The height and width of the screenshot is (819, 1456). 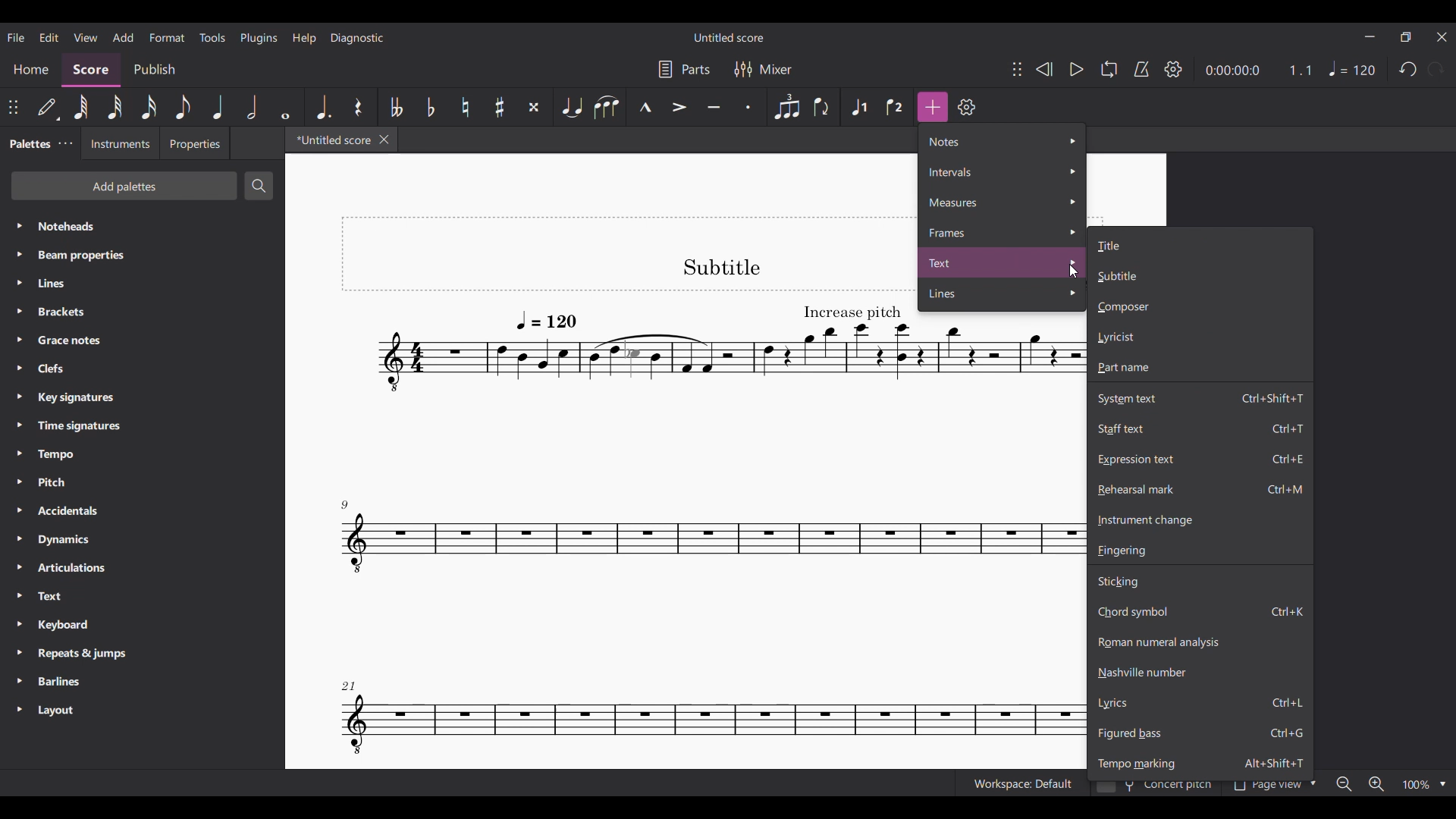 I want to click on Quarter note, so click(x=218, y=107).